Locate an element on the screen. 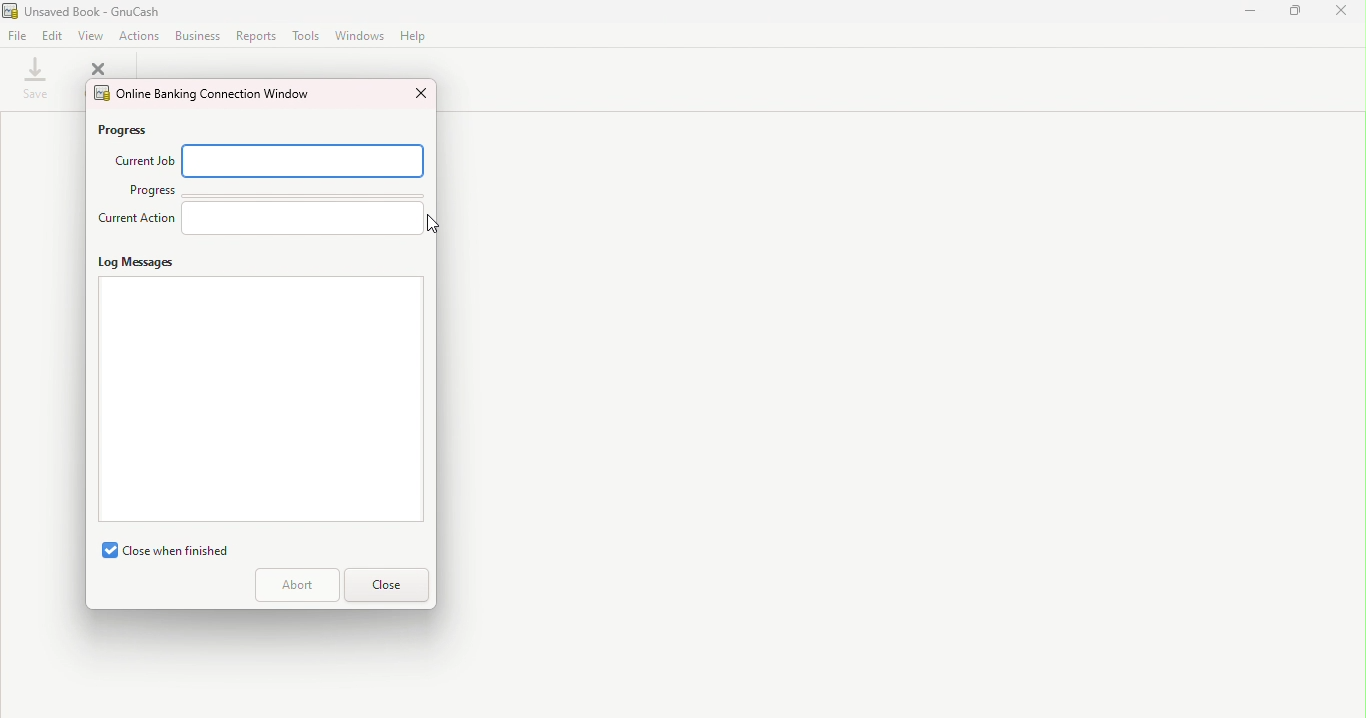 The width and height of the screenshot is (1366, 718). Close is located at coordinates (384, 585).